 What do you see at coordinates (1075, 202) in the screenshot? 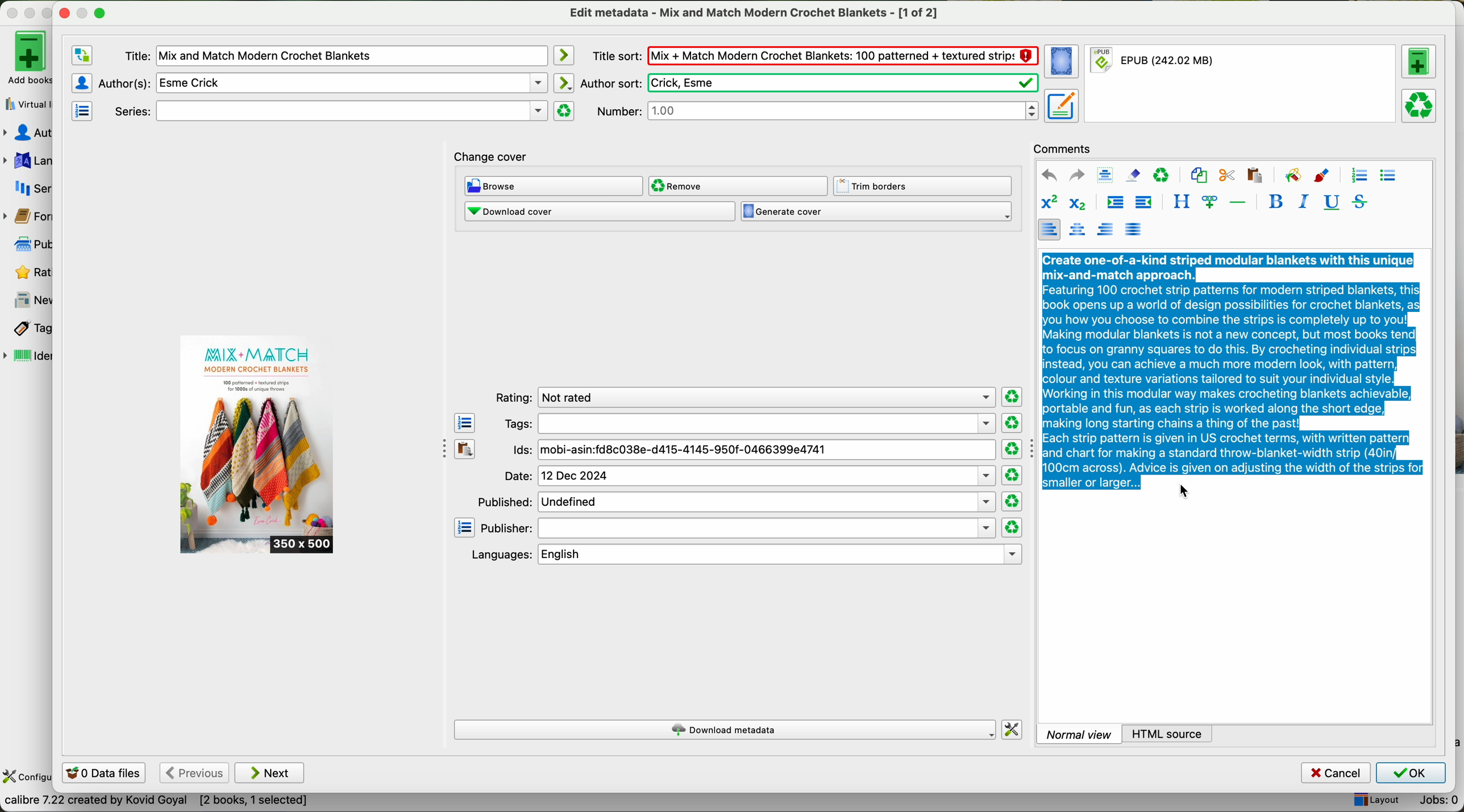
I see `subscript` at bounding box center [1075, 202].